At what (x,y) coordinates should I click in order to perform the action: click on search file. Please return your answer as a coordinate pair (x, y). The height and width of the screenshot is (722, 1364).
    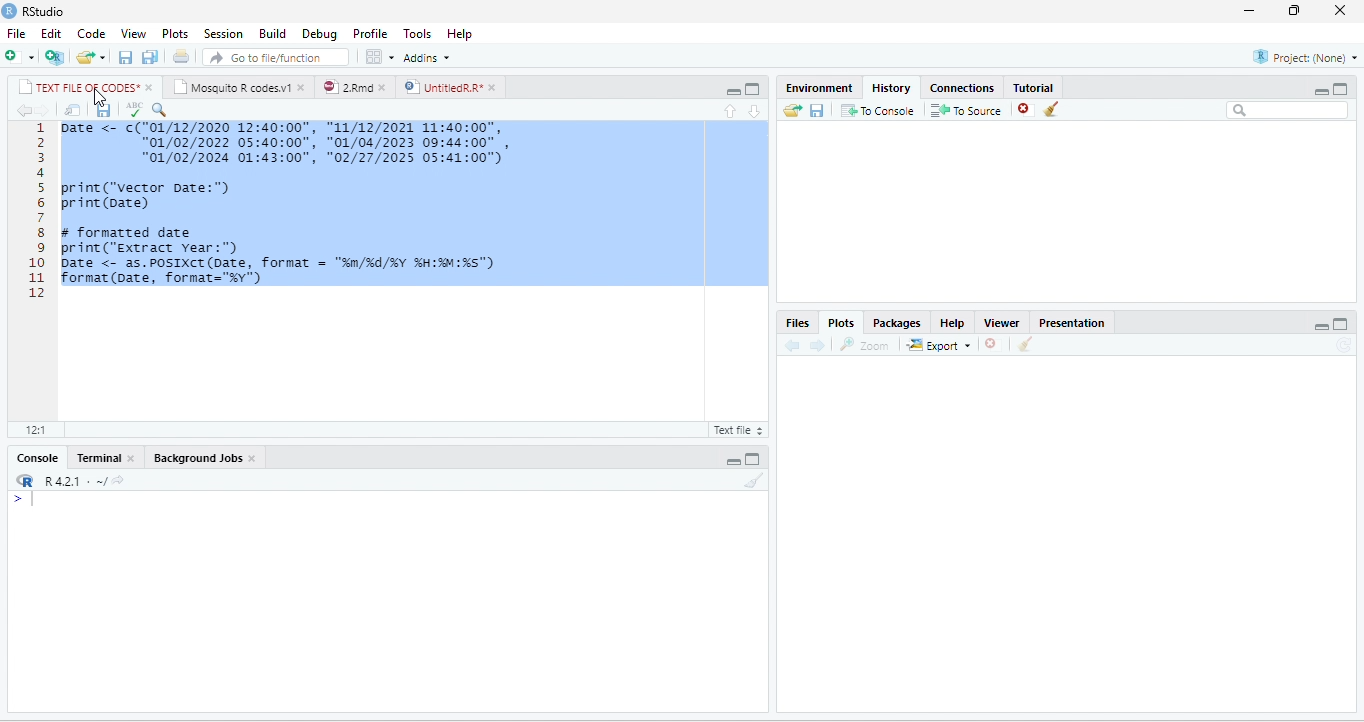
    Looking at the image, I should click on (276, 57).